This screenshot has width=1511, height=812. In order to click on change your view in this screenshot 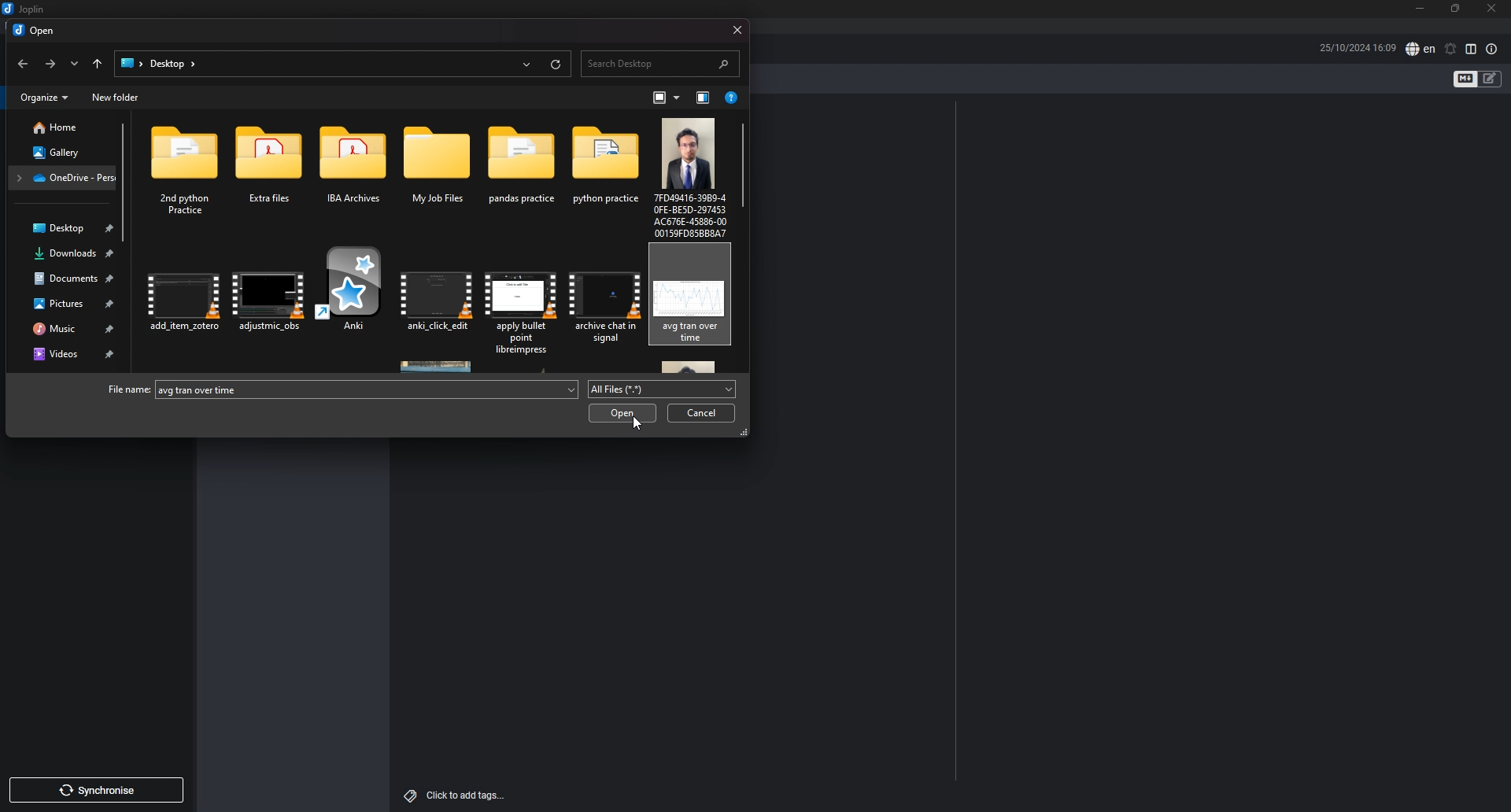, I will do `click(665, 98)`.